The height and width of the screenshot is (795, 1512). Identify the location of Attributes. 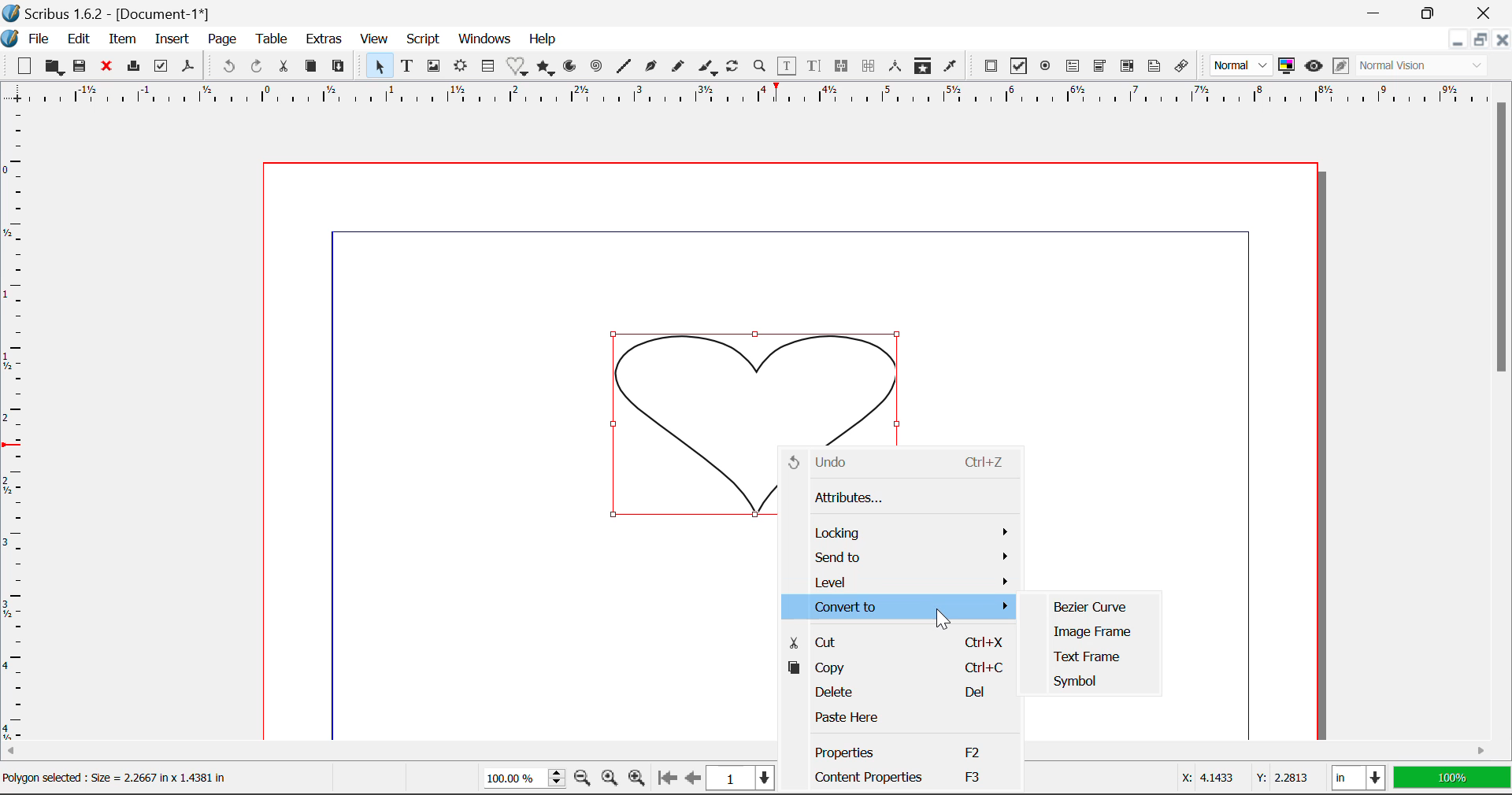
(898, 498).